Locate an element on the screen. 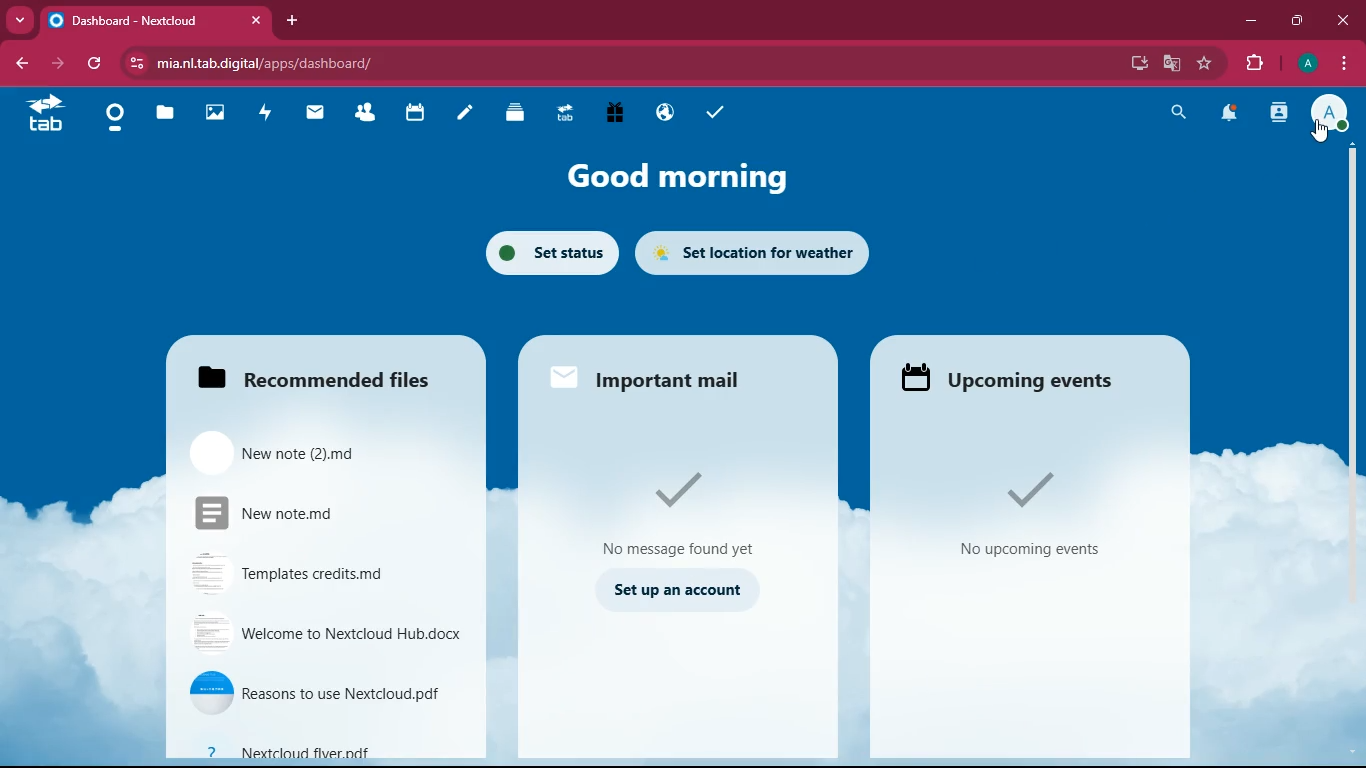 The image size is (1366, 768). tab is located at coordinates (563, 113).